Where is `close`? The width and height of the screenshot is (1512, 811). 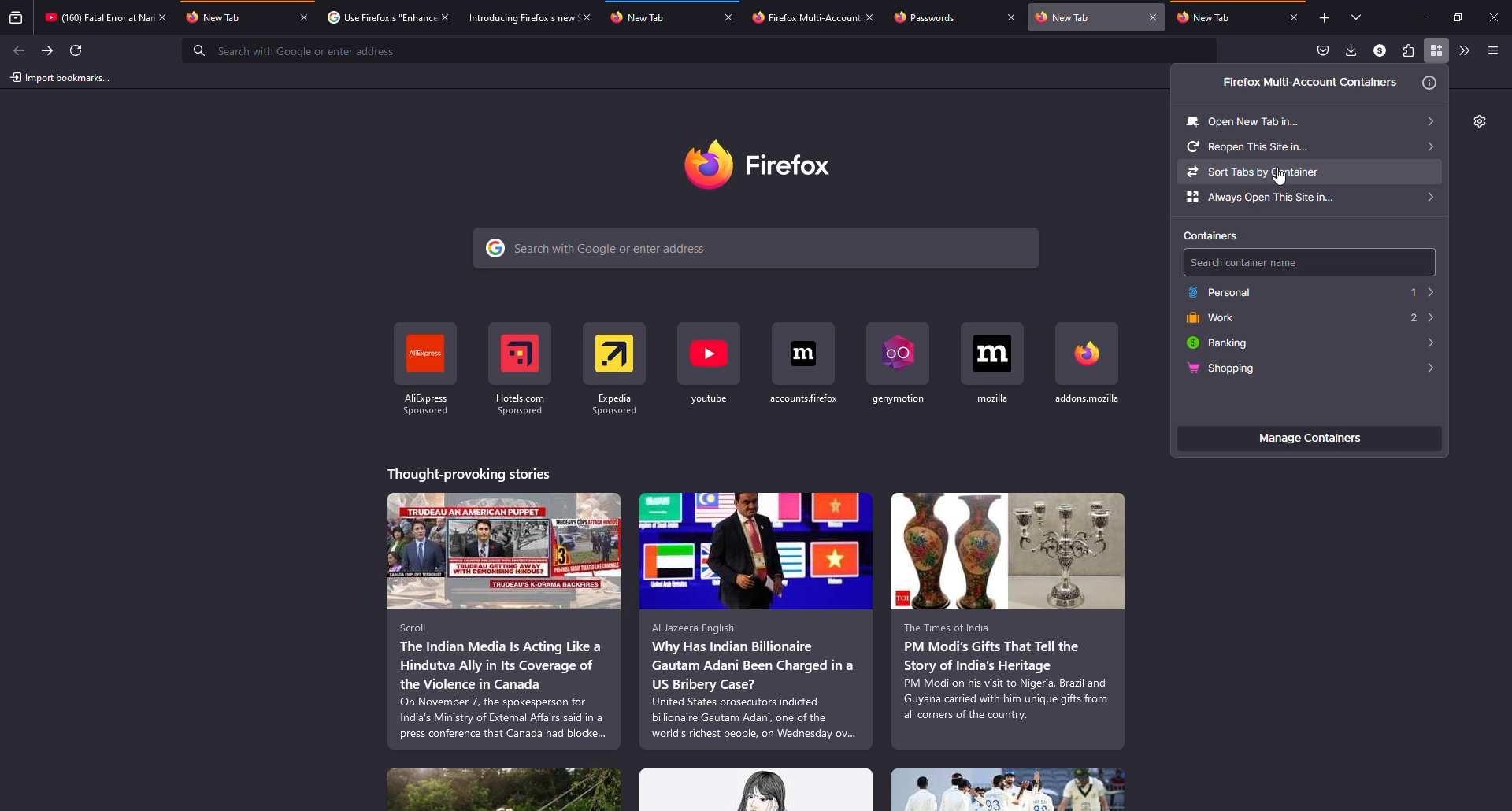 close is located at coordinates (870, 17).